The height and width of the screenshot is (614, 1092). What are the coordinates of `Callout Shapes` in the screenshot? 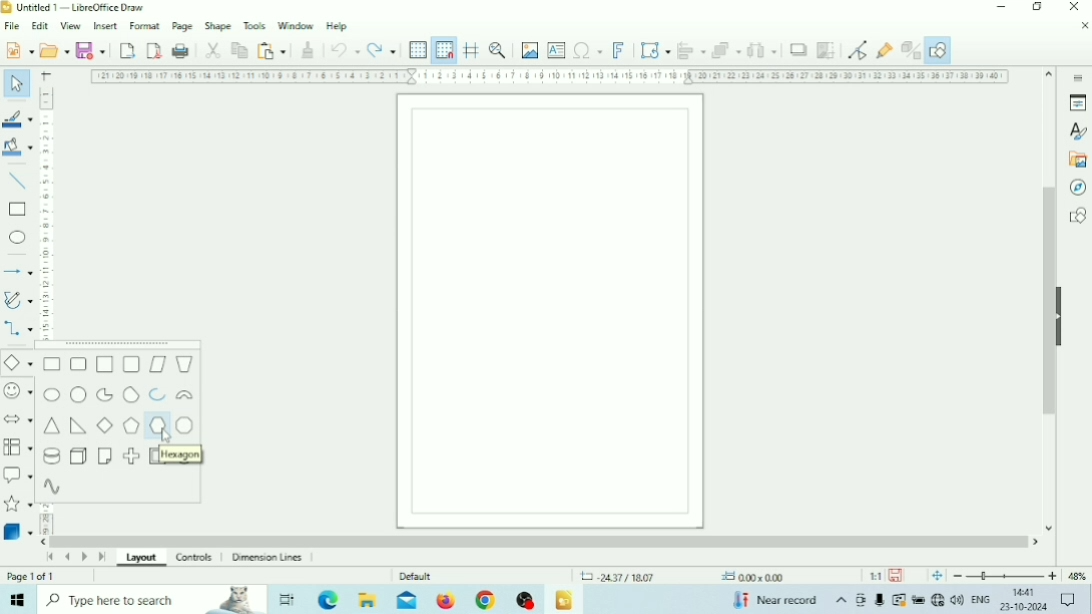 It's located at (18, 475).